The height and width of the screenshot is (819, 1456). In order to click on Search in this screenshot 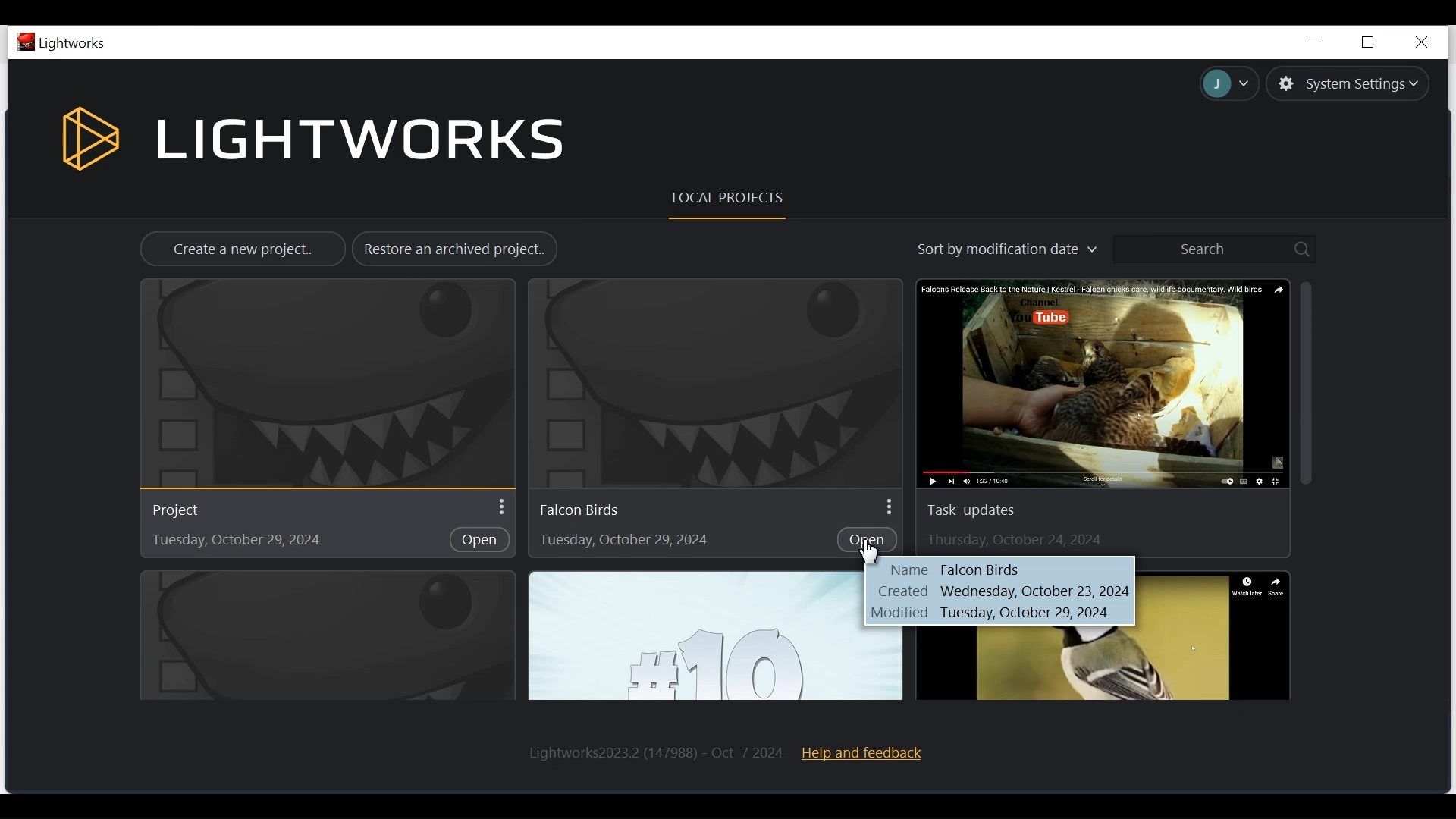, I will do `click(1217, 248)`.